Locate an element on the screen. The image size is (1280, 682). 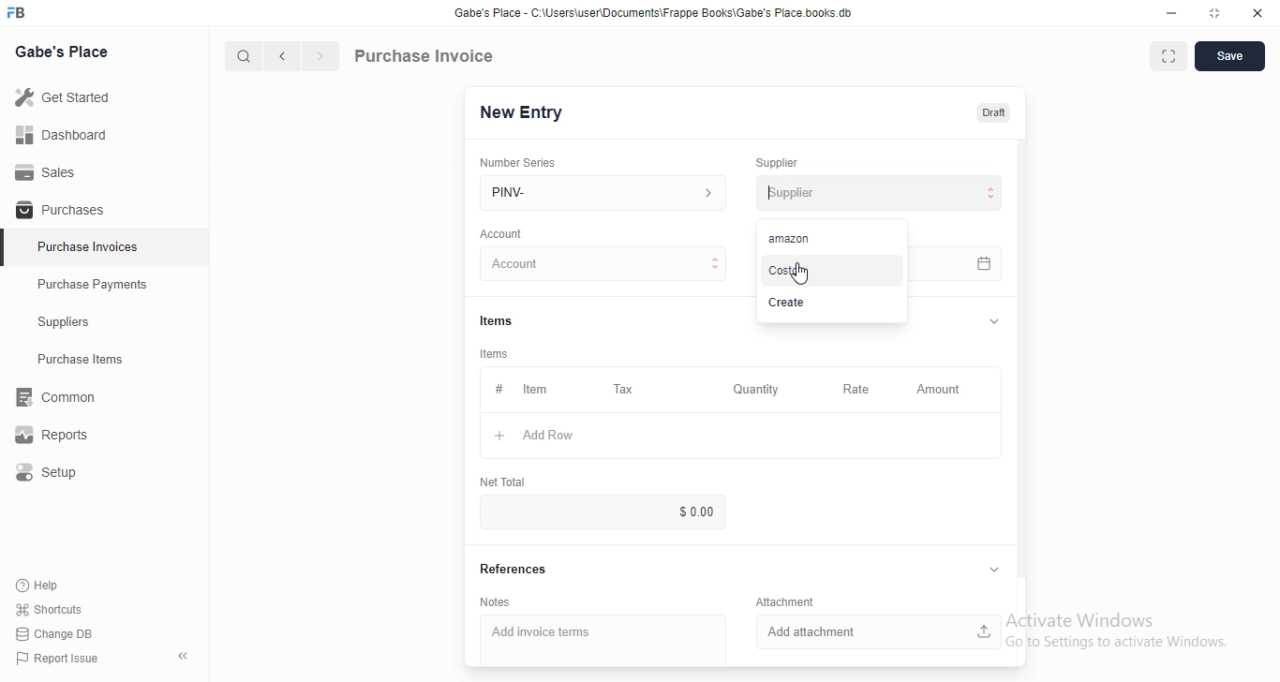
Collapse is located at coordinates (994, 321).